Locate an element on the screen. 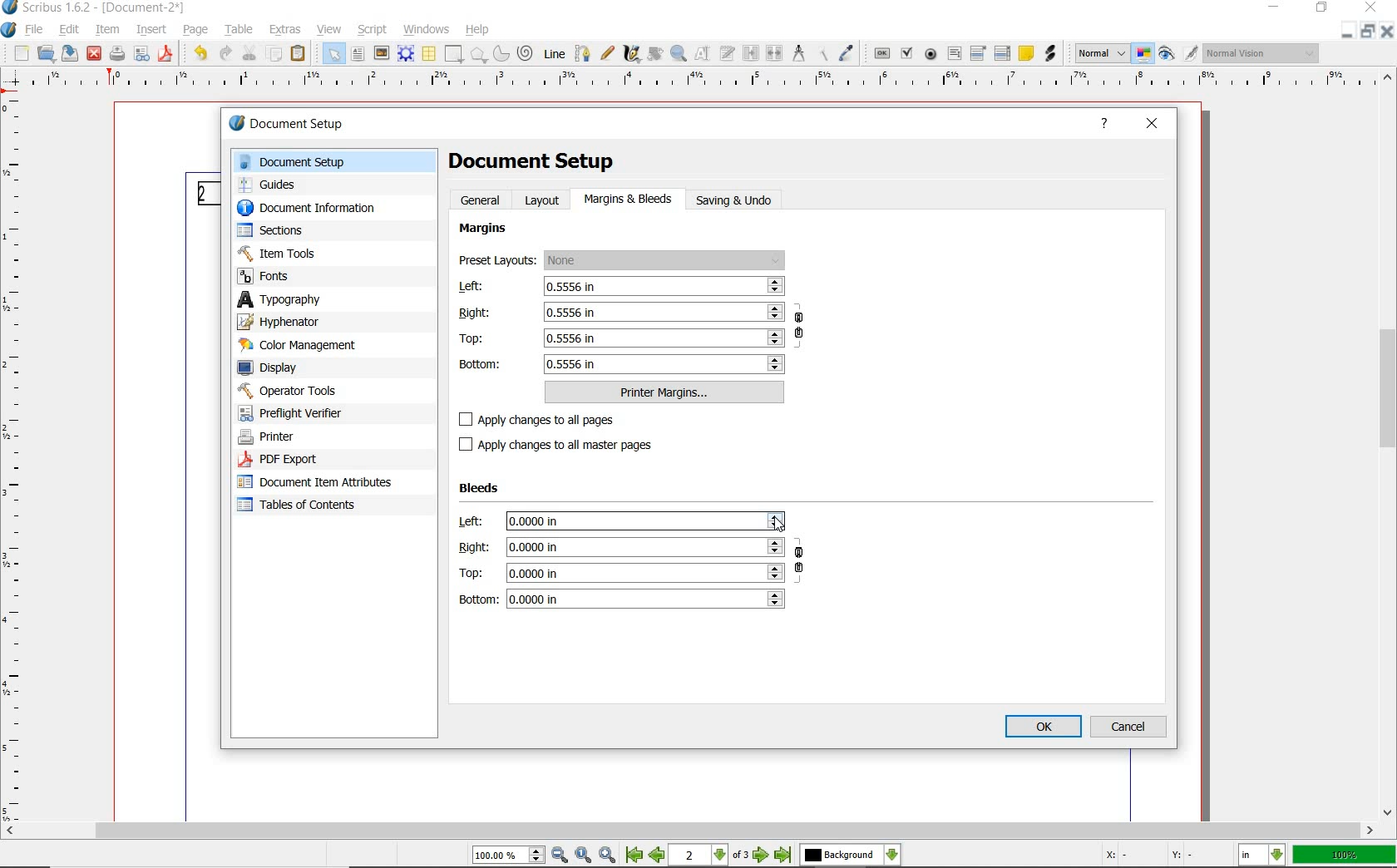  Zoom 100.00% is located at coordinates (506, 857).